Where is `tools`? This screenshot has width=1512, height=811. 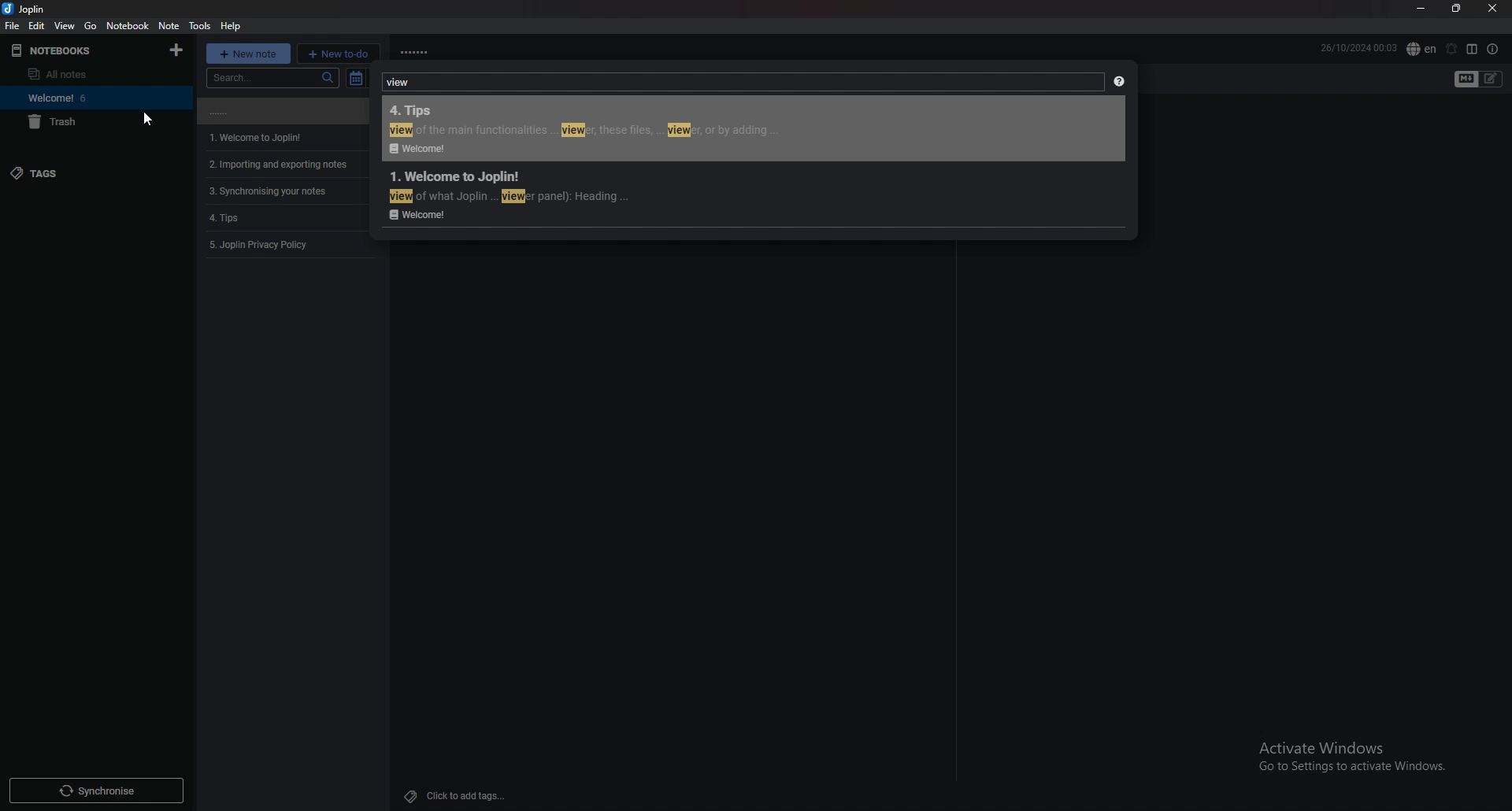 tools is located at coordinates (202, 25).